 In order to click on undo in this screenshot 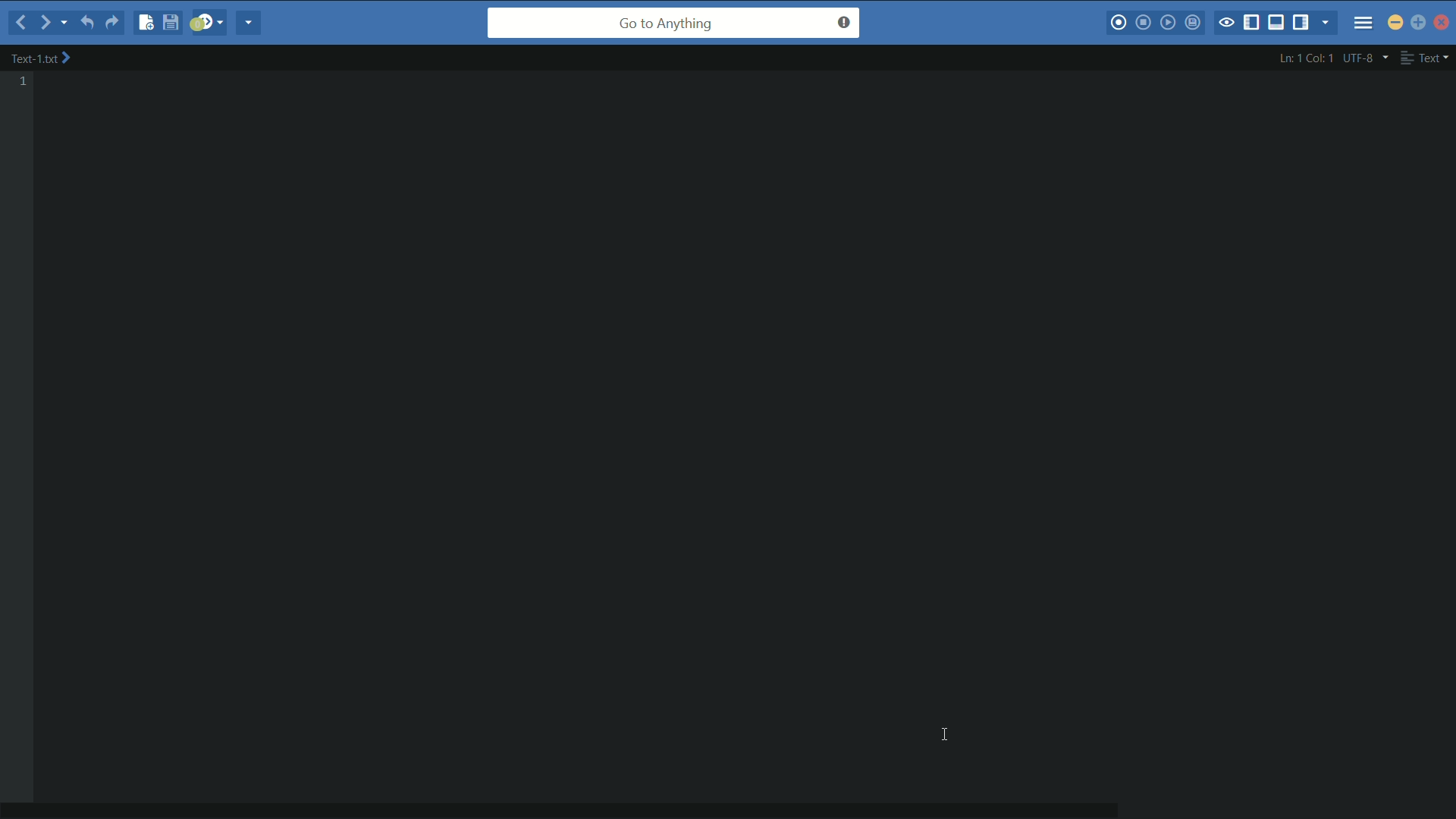, I will do `click(86, 23)`.